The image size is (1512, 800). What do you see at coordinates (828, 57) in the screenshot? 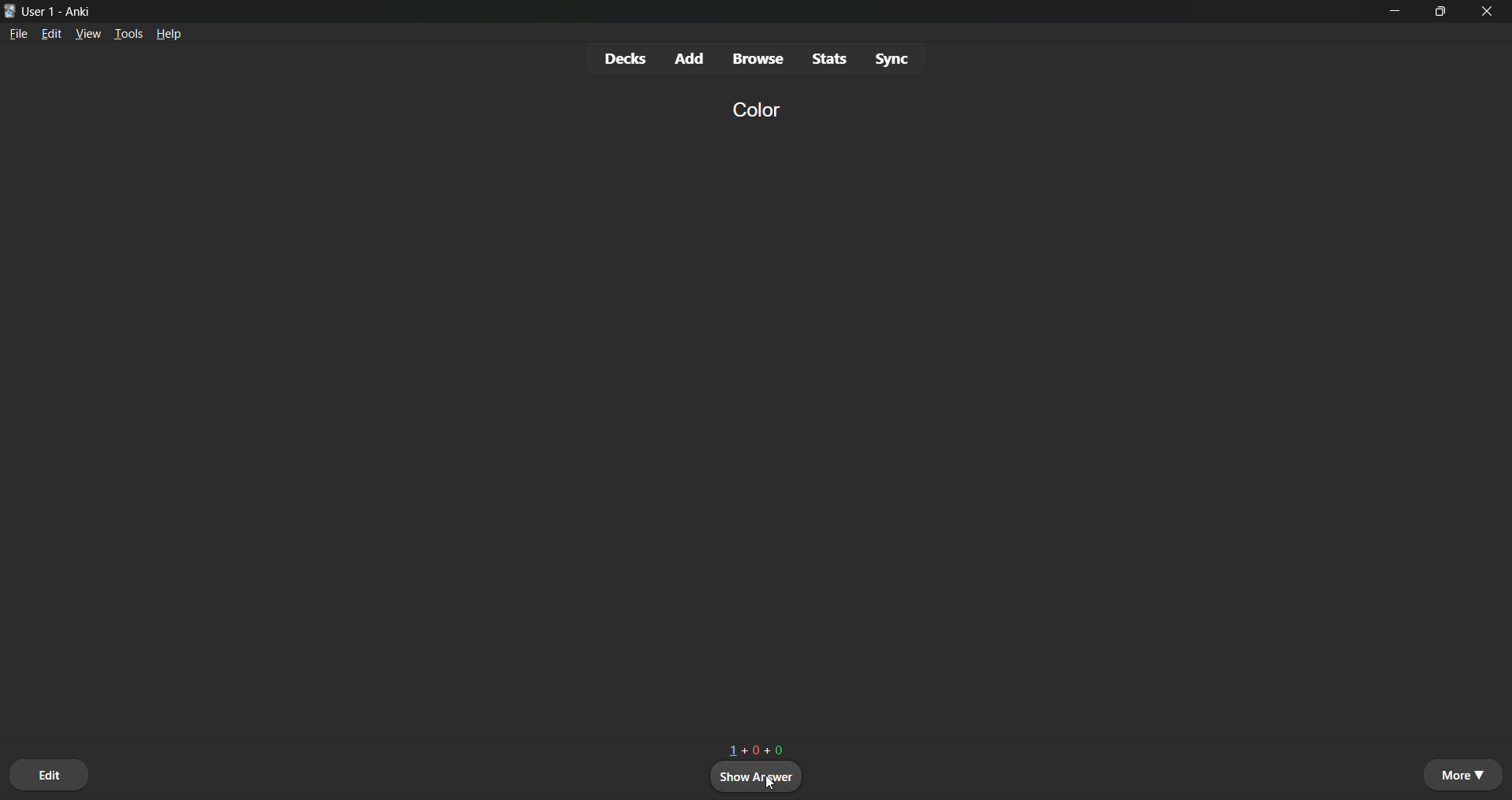
I see `stats` at bounding box center [828, 57].